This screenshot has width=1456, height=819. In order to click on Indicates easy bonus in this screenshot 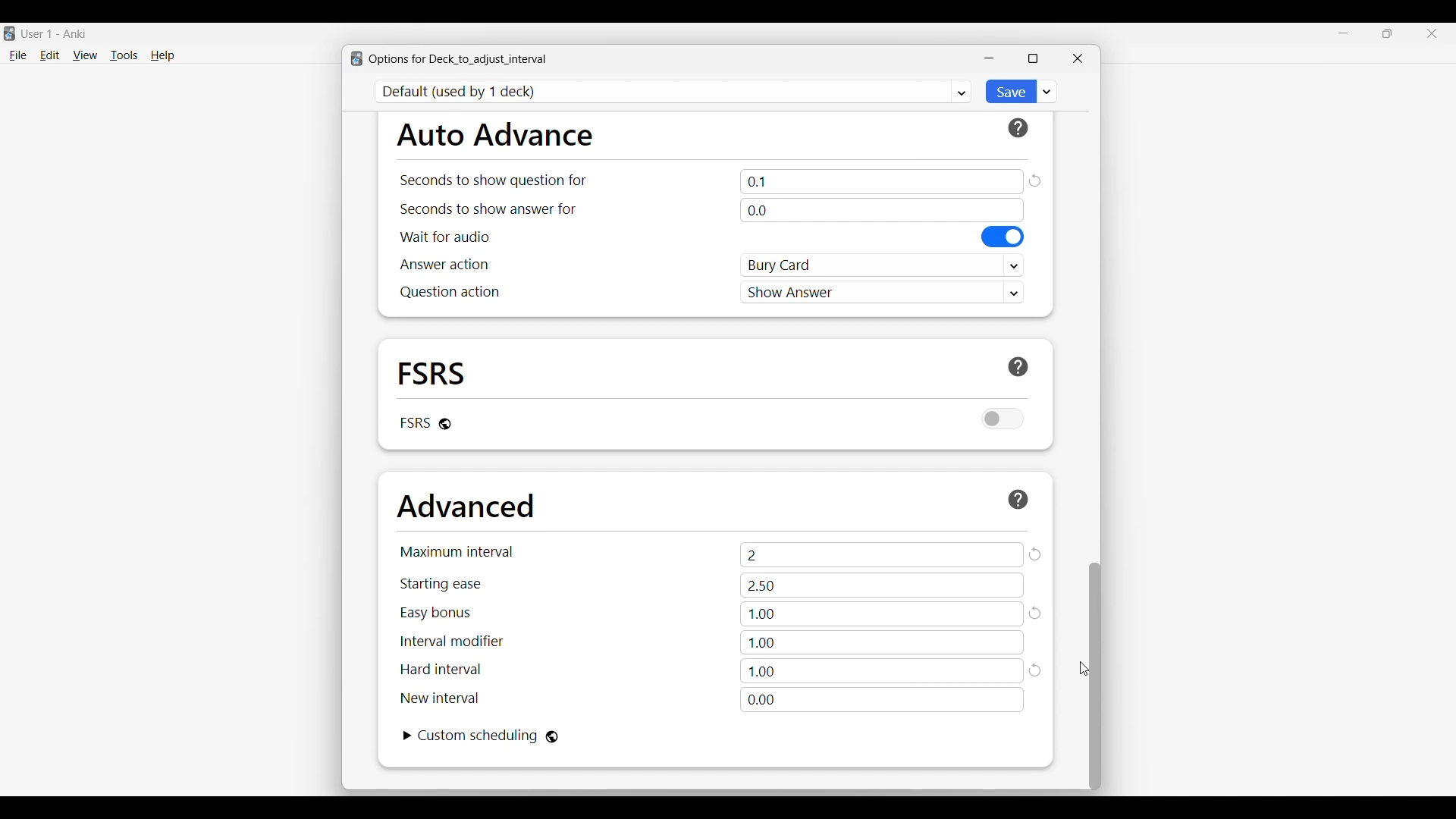, I will do `click(436, 613)`.